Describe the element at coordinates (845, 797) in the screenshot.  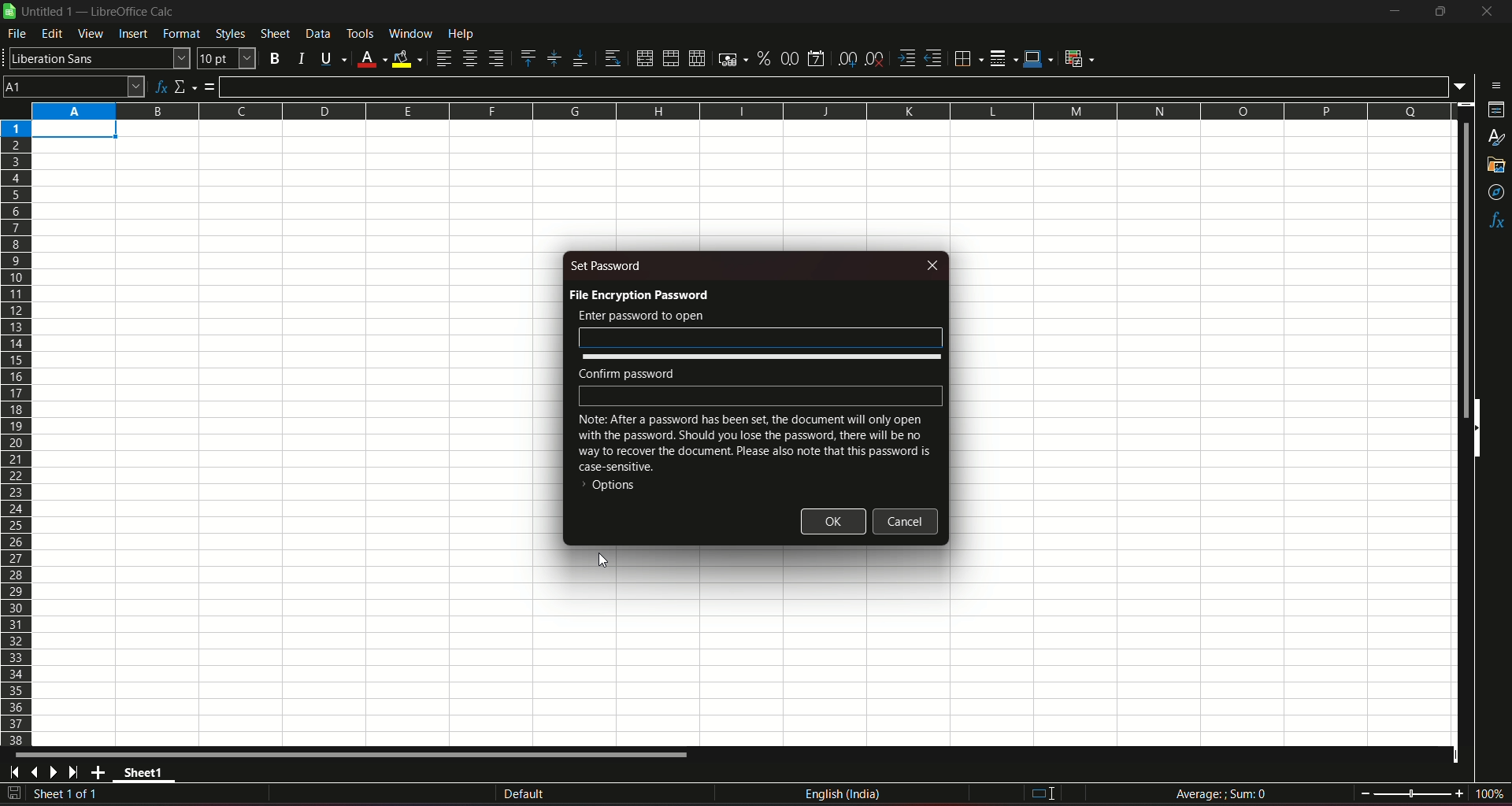
I see `language` at that location.